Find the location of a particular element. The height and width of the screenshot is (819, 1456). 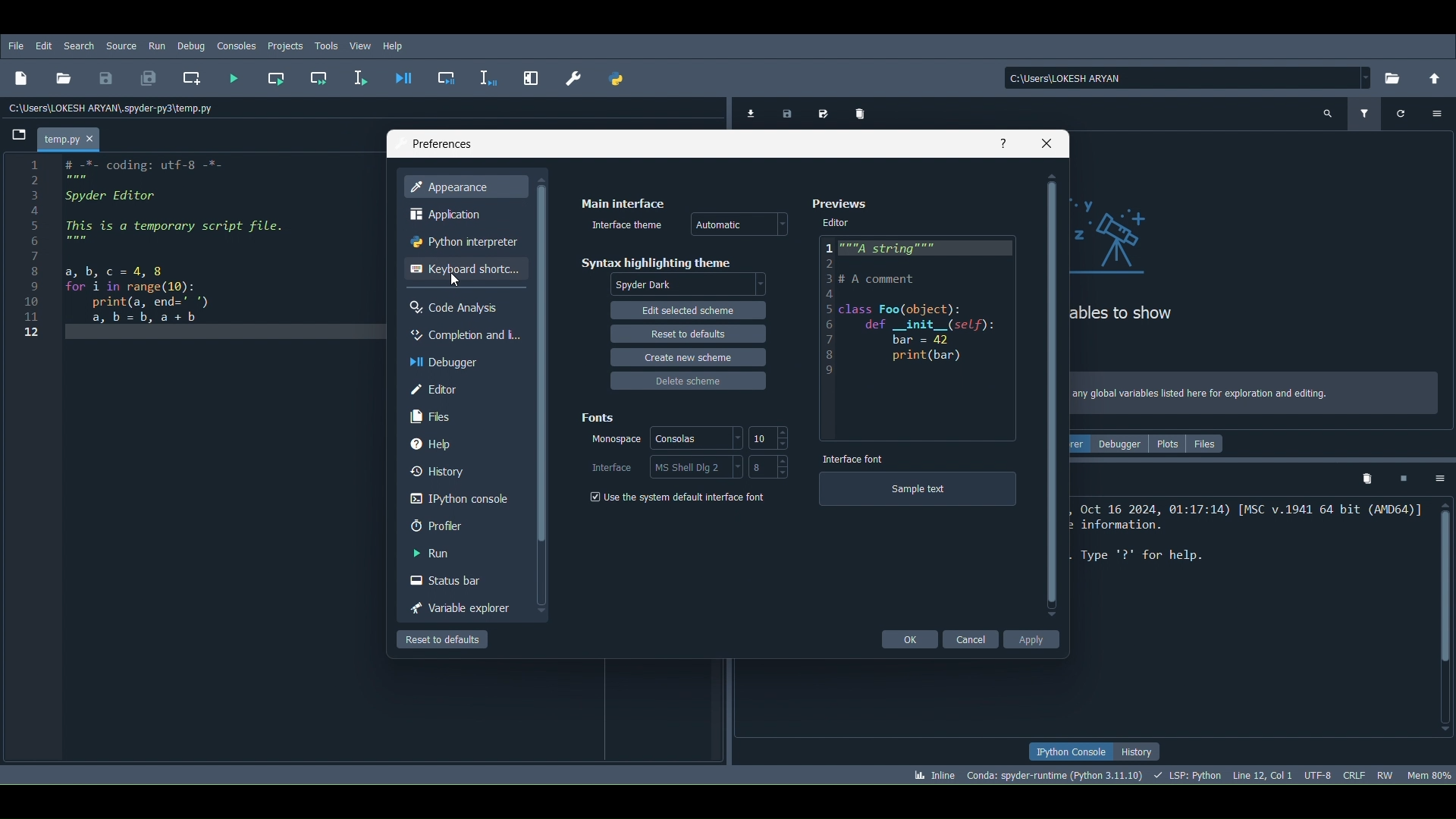

IPython console is located at coordinates (456, 498).